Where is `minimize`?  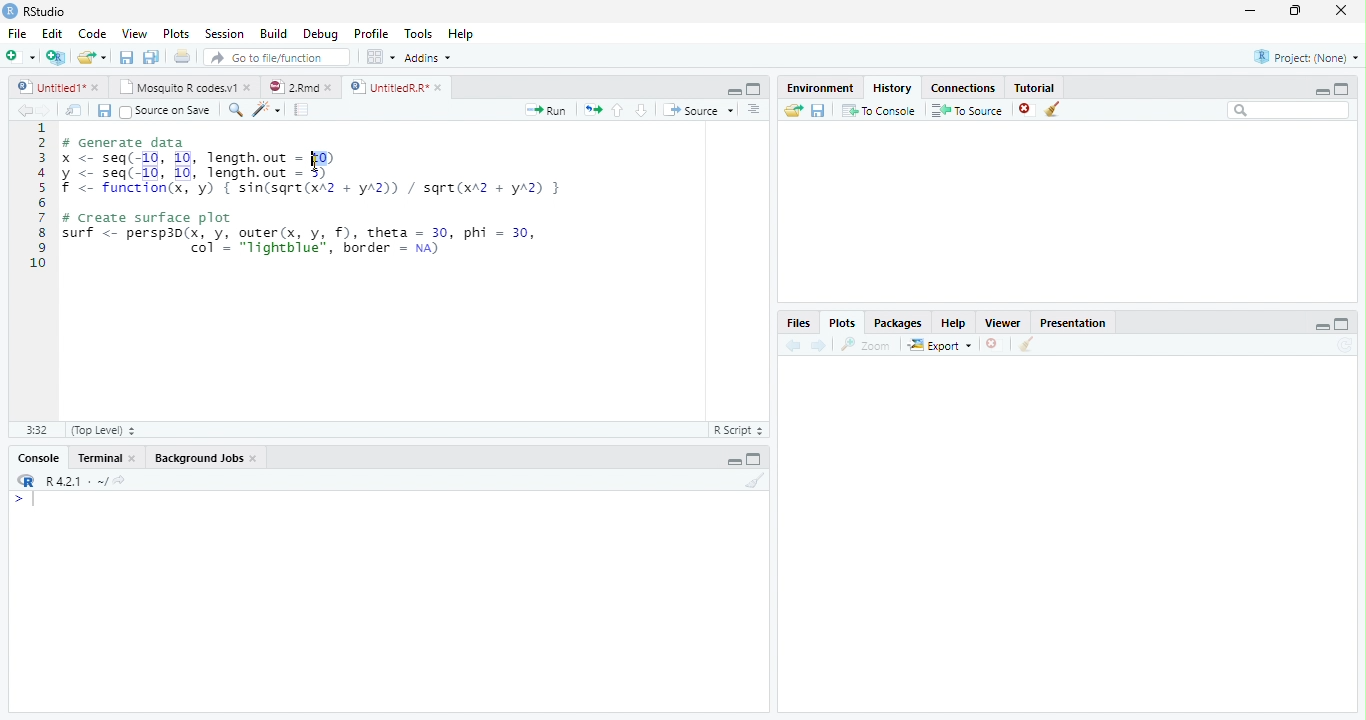
minimize is located at coordinates (1322, 91).